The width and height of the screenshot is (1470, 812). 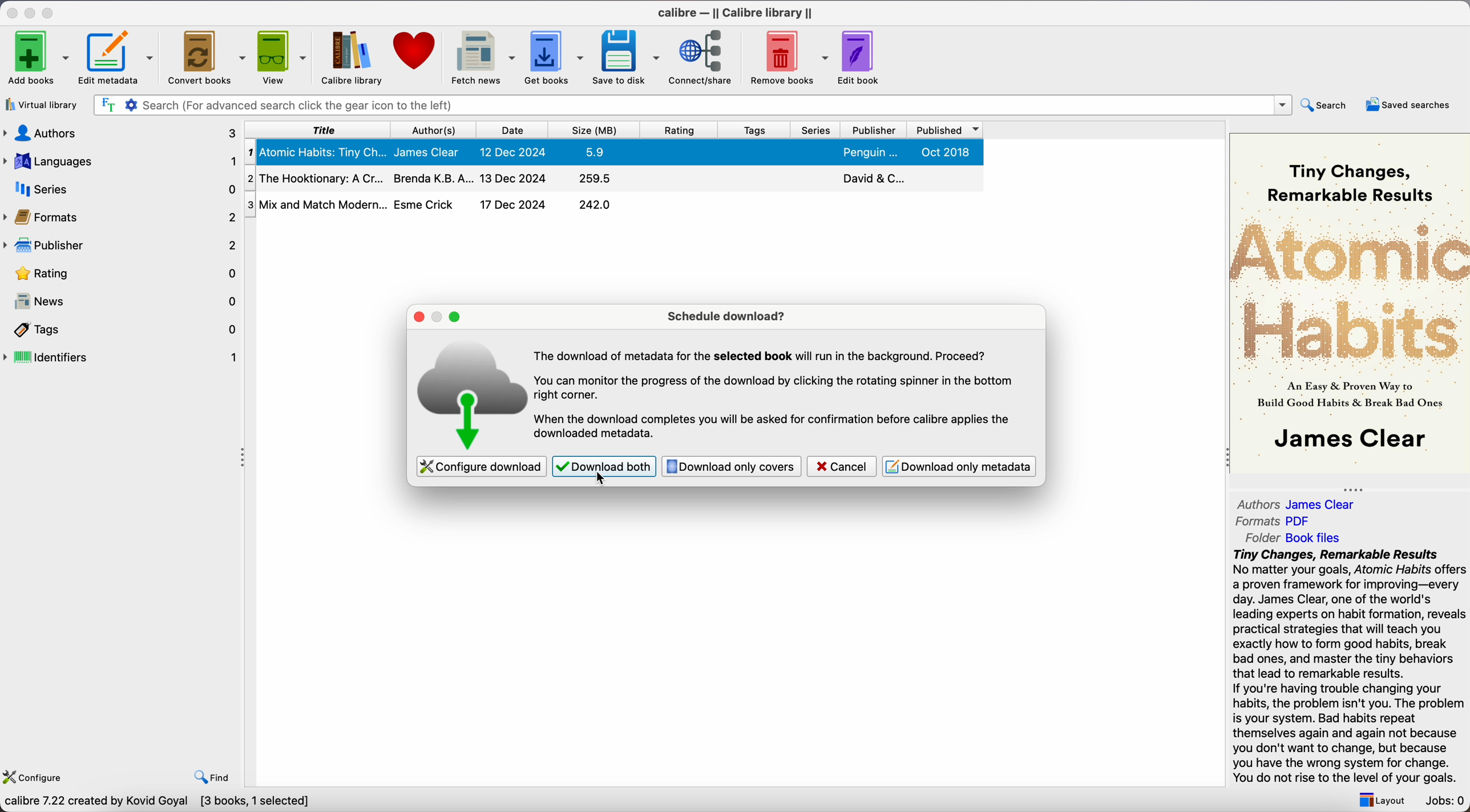 What do you see at coordinates (680, 130) in the screenshot?
I see `rating` at bounding box center [680, 130].